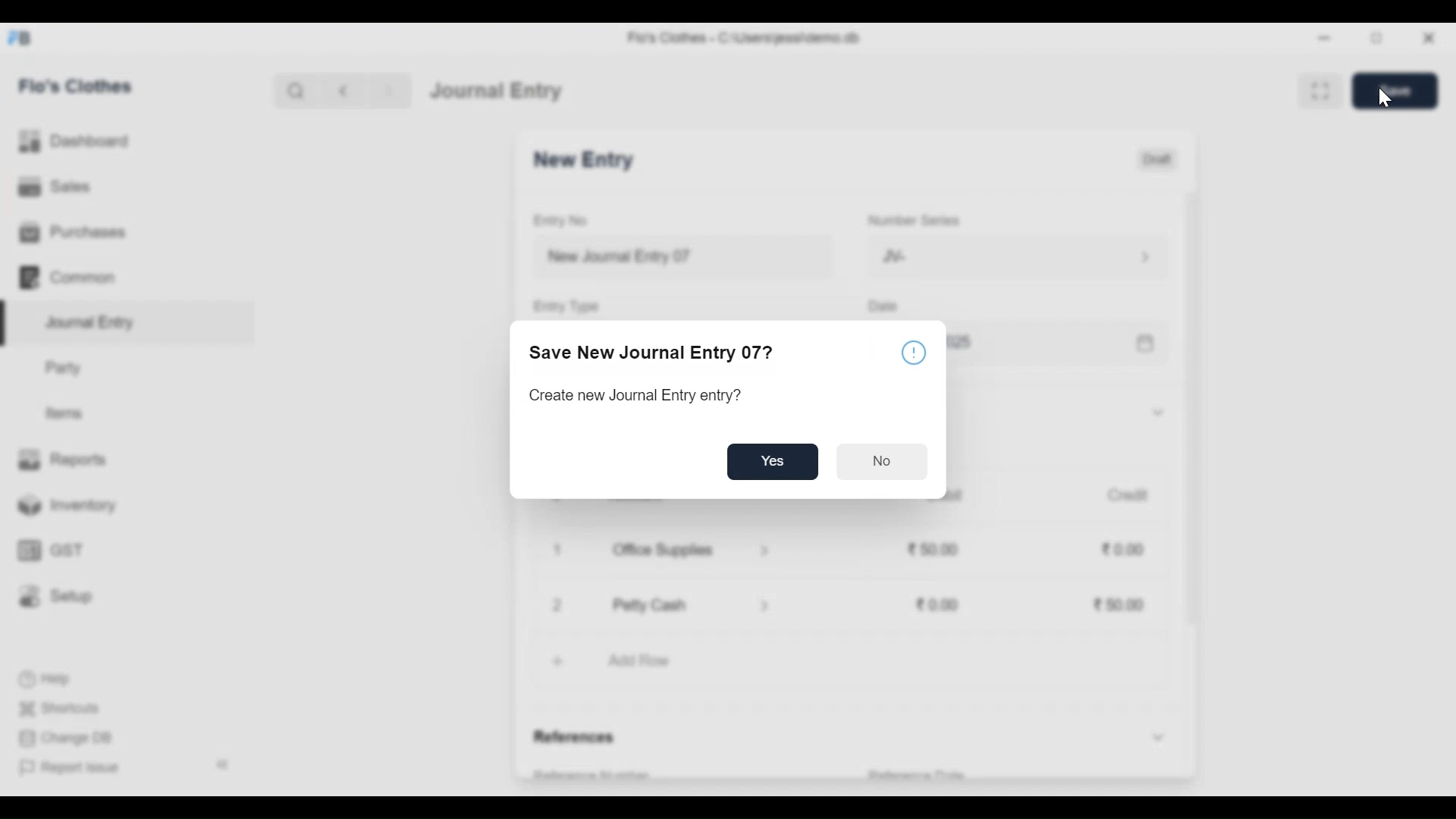 The image size is (1456, 819). Describe the element at coordinates (655, 354) in the screenshot. I see `Save New Journal Entry 07?` at that location.